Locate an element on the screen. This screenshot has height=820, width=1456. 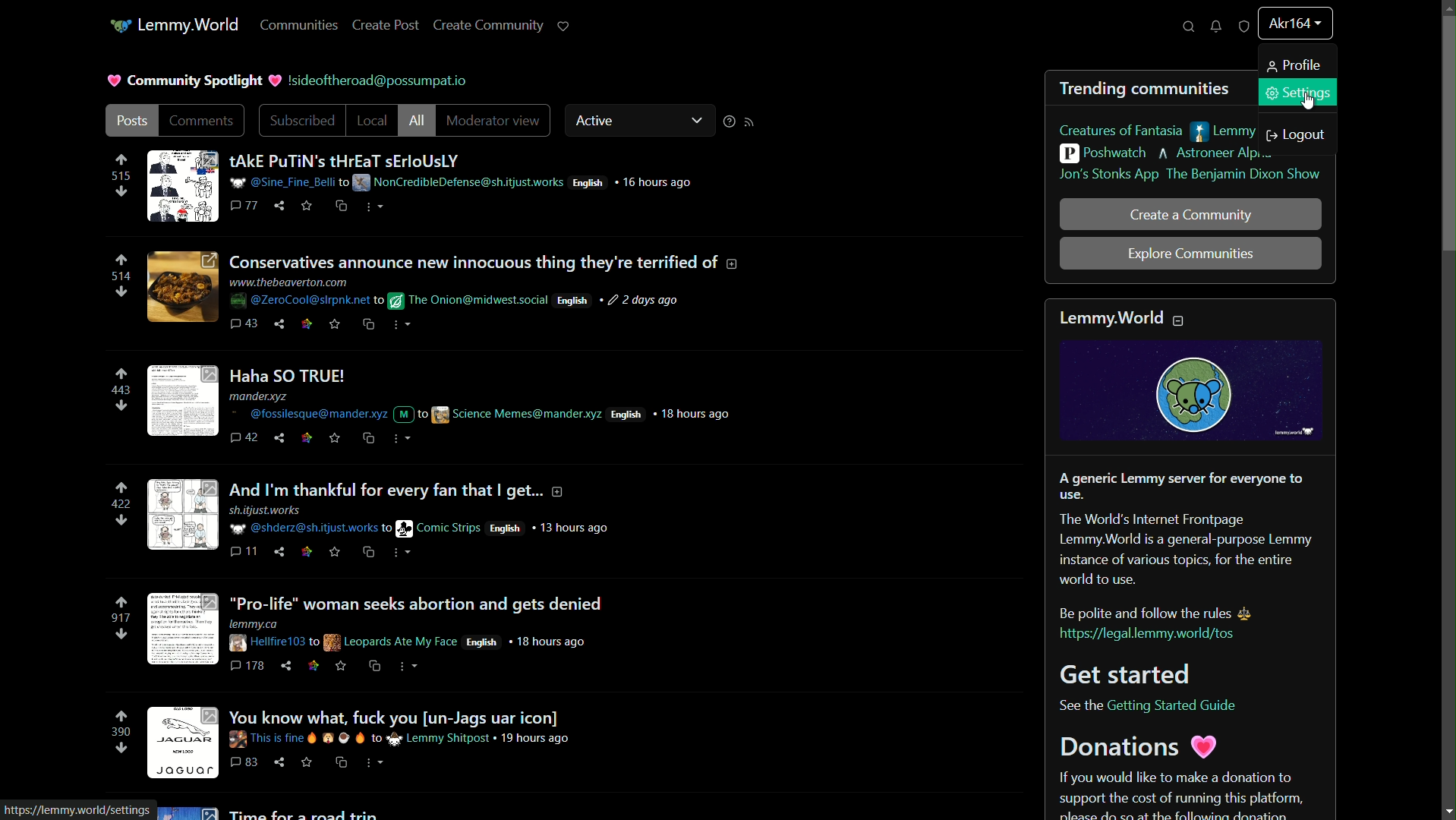
number of votes is located at coordinates (121, 732).